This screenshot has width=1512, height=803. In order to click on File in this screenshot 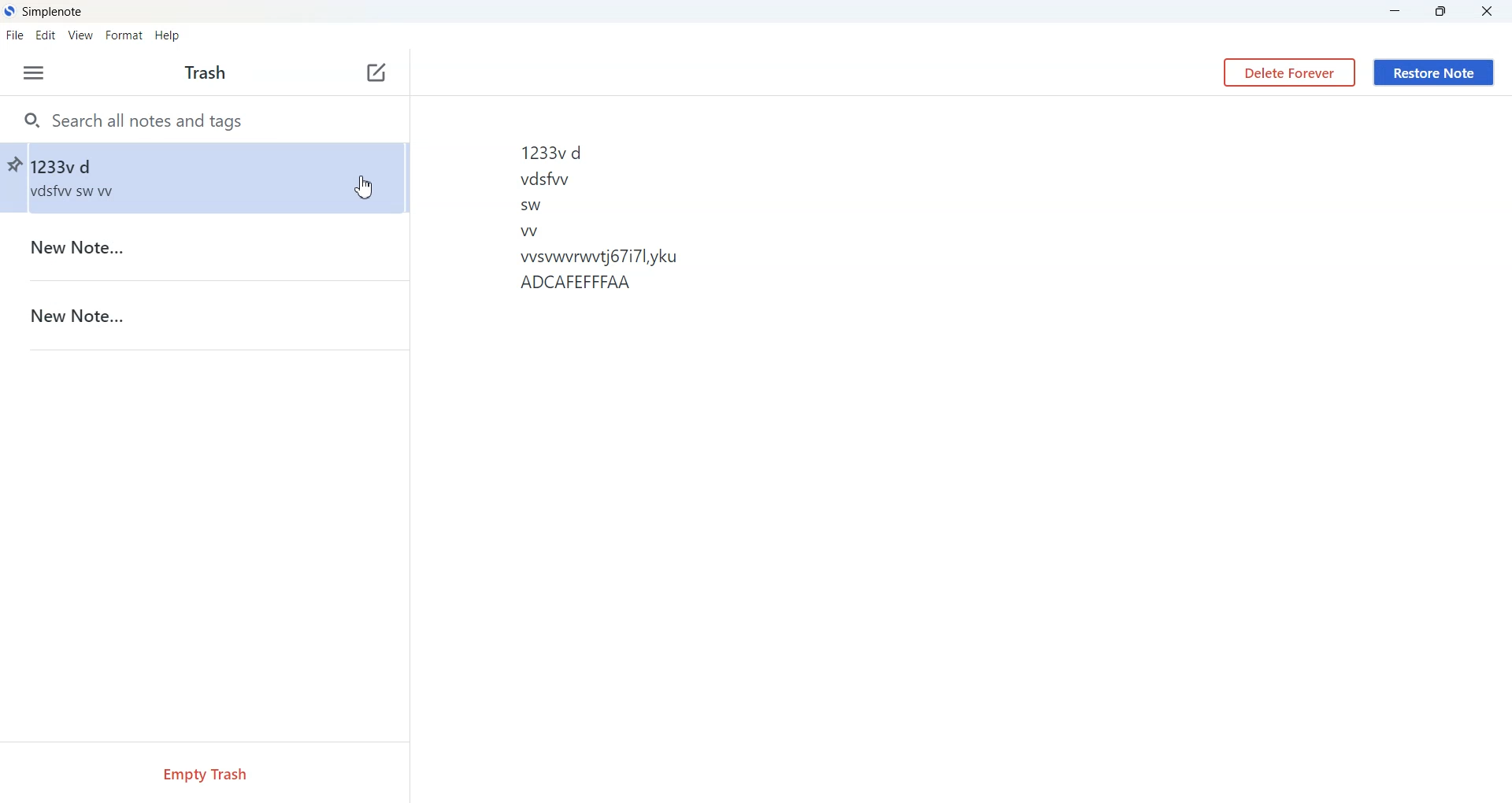, I will do `click(17, 35)`.